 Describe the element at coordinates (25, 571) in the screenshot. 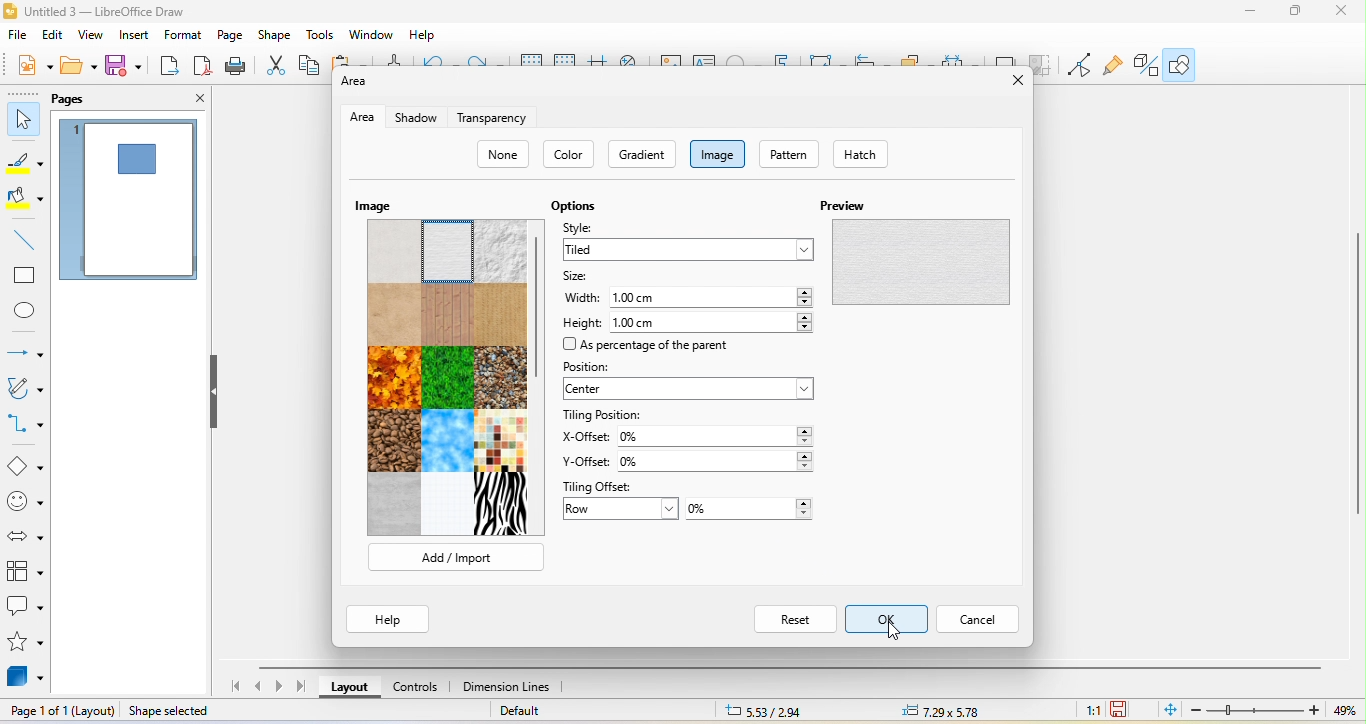

I see `flowchart` at that location.